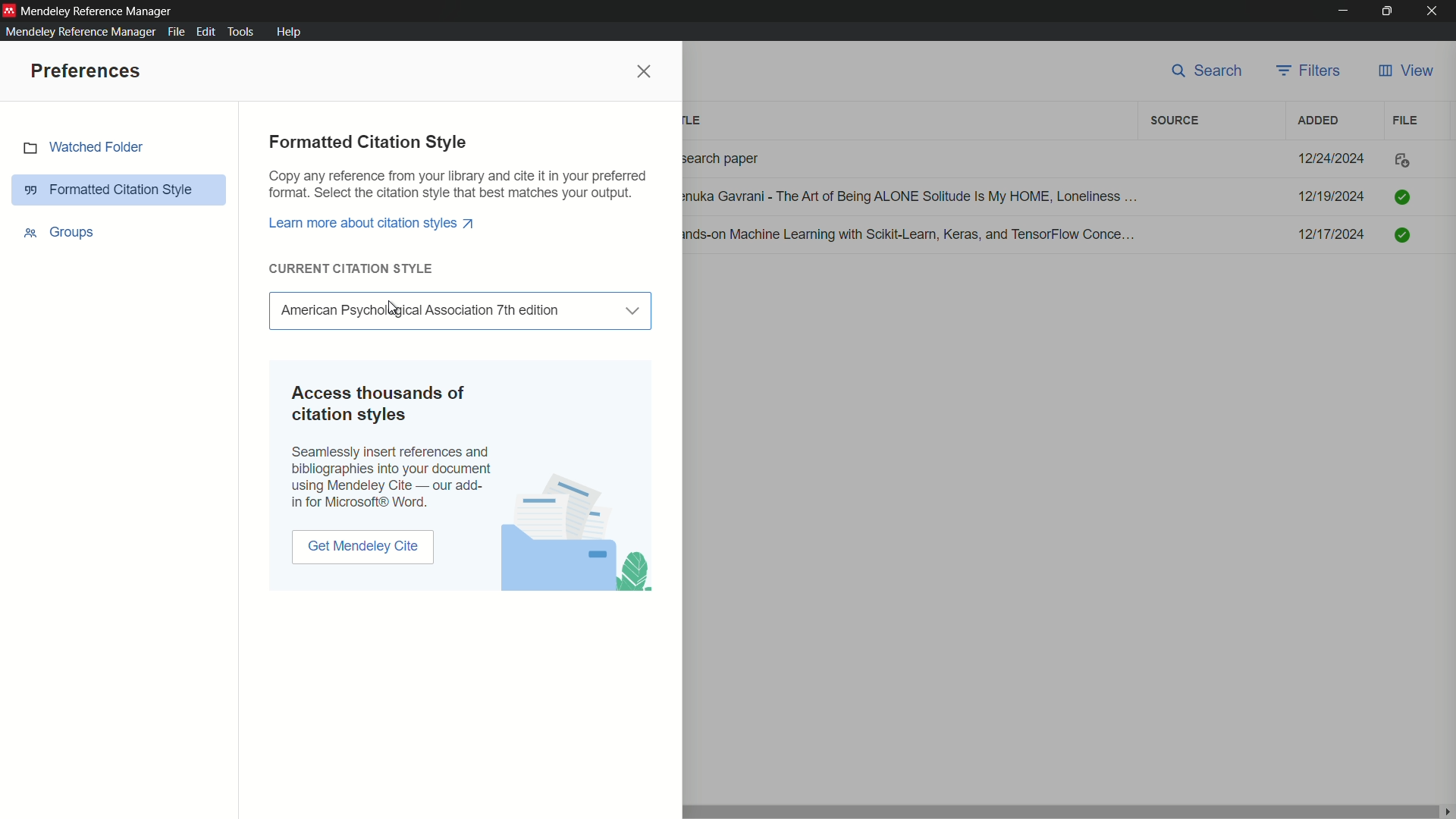  What do you see at coordinates (353, 268) in the screenshot?
I see `current citation style` at bounding box center [353, 268].